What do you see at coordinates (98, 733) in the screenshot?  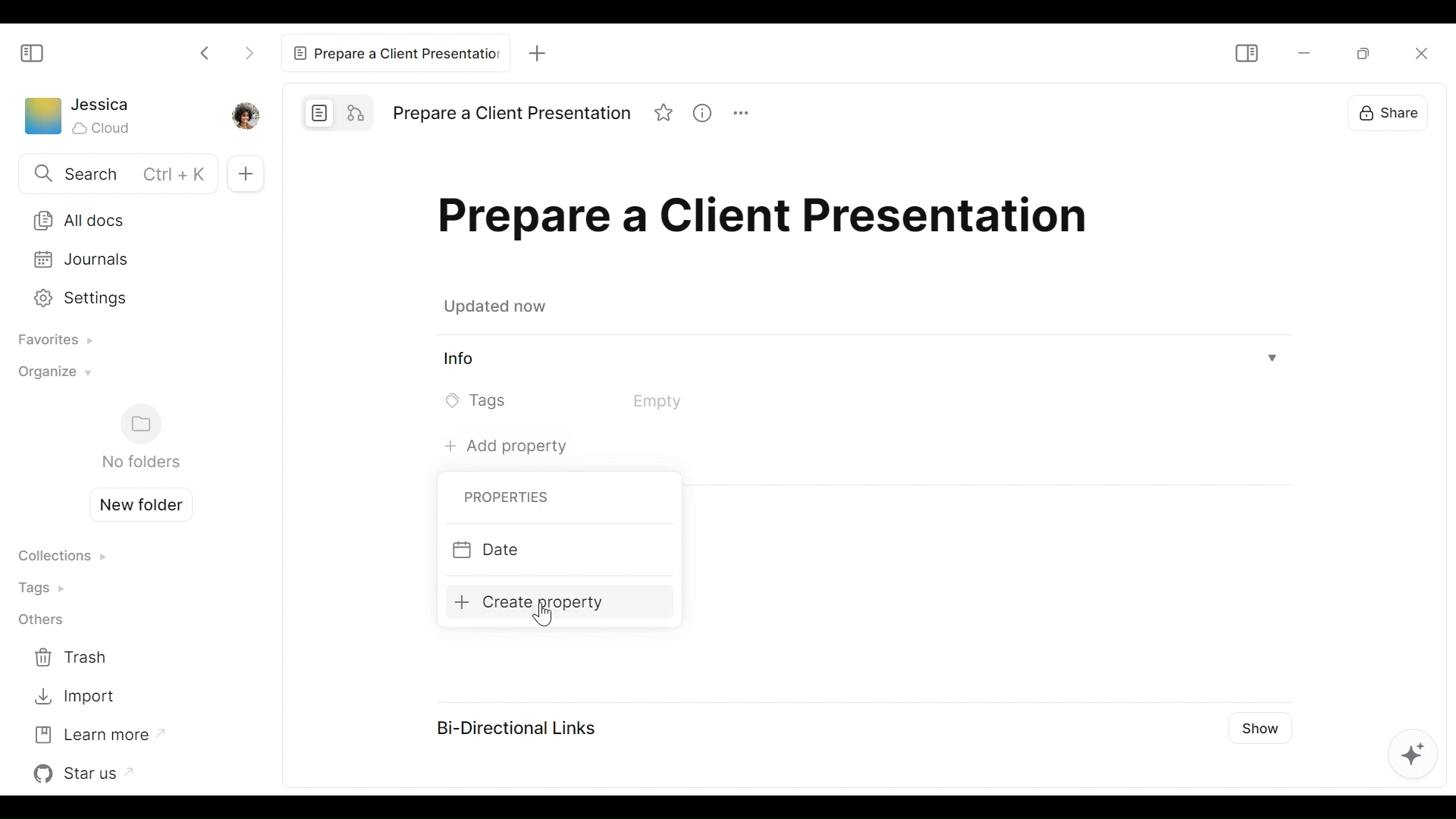 I see `Learn more` at bounding box center [98, 733].